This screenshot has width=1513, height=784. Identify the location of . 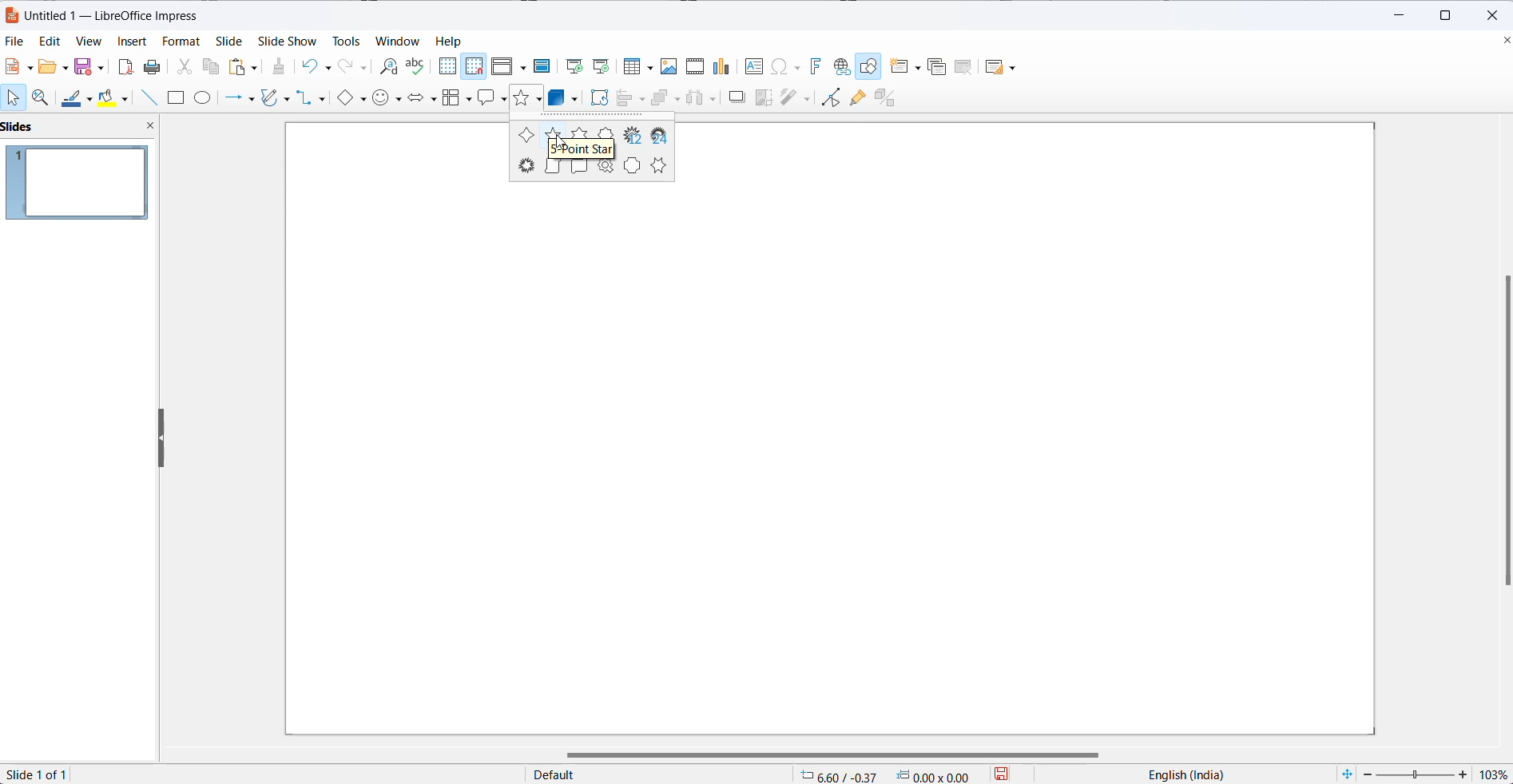
(704, 98).